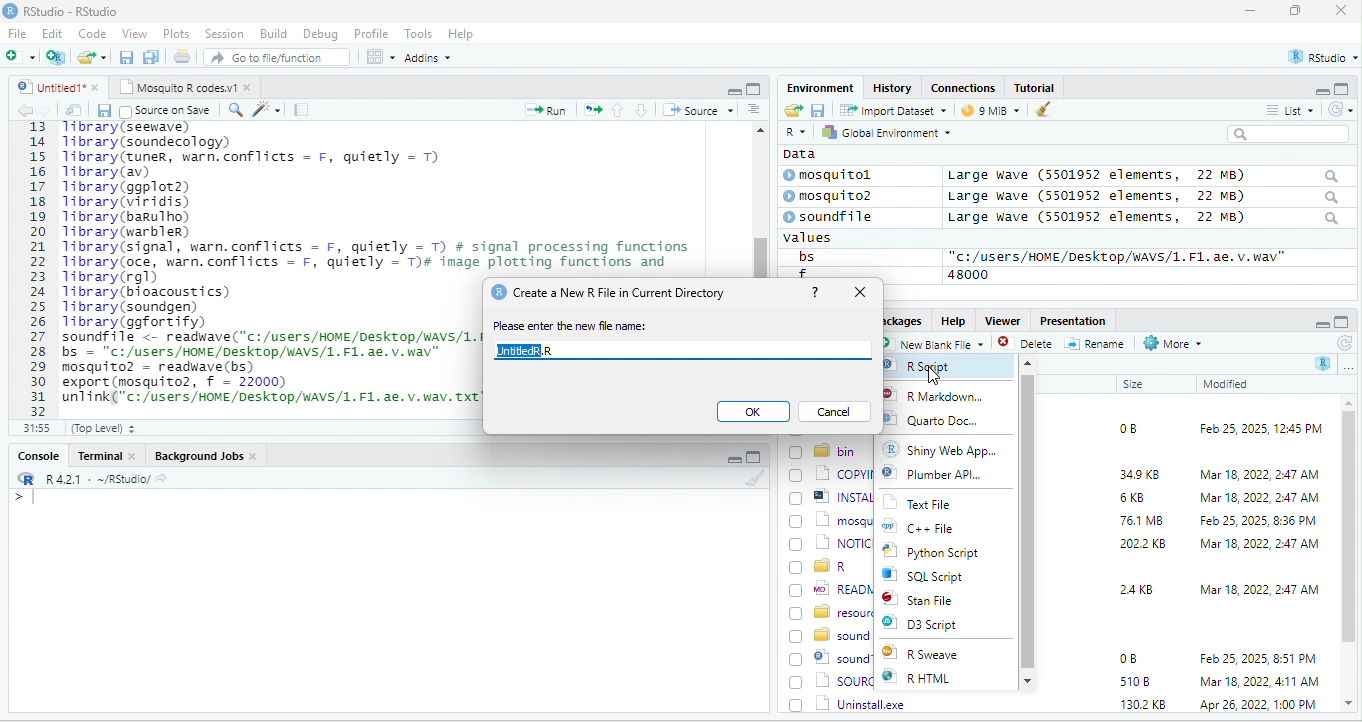 The height and width of the screenshot is (722, 1362). I want to click on Ld bin, so click(825, 450).